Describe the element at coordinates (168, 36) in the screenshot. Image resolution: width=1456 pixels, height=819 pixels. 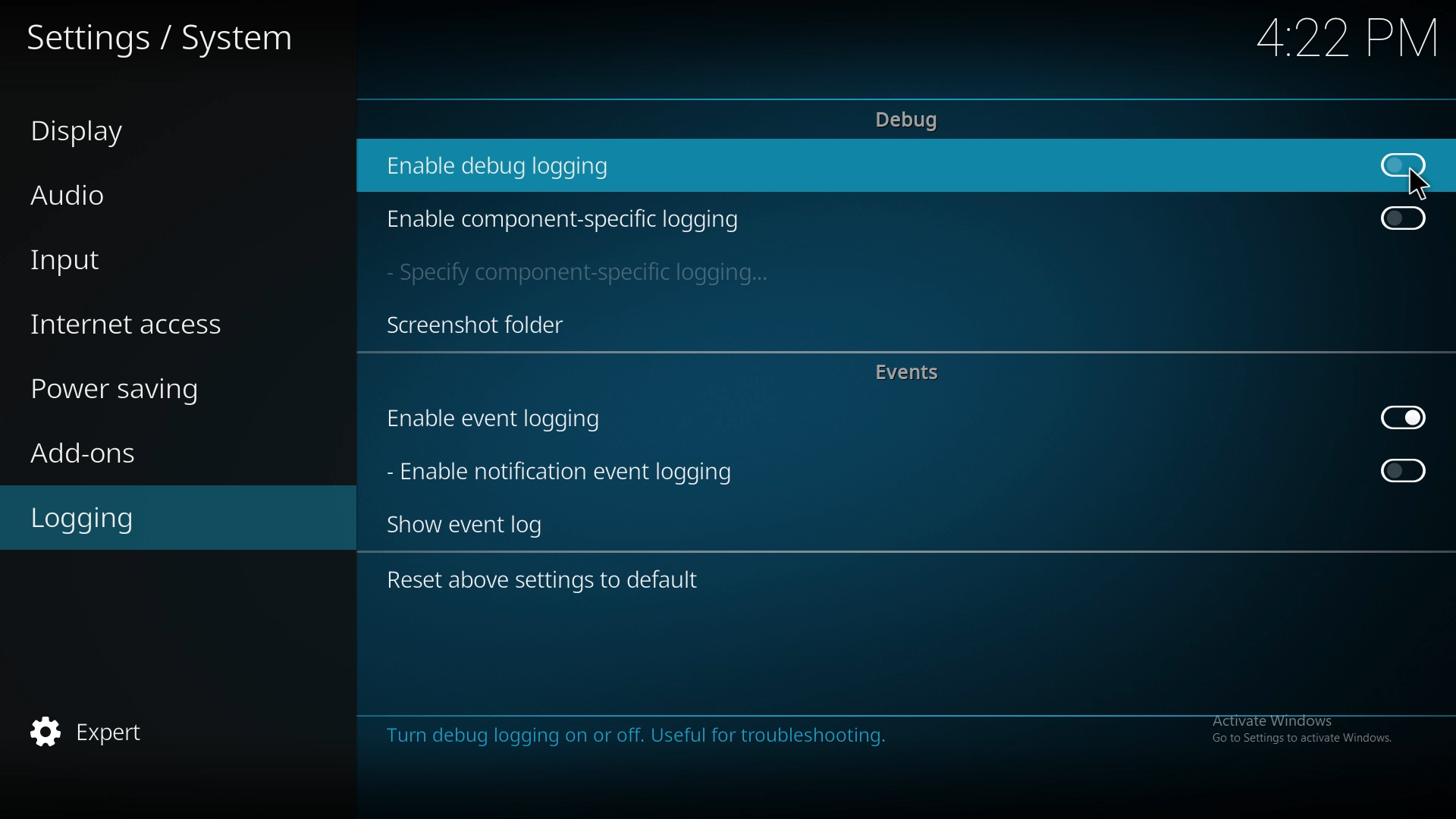
I see `settings` at that location.